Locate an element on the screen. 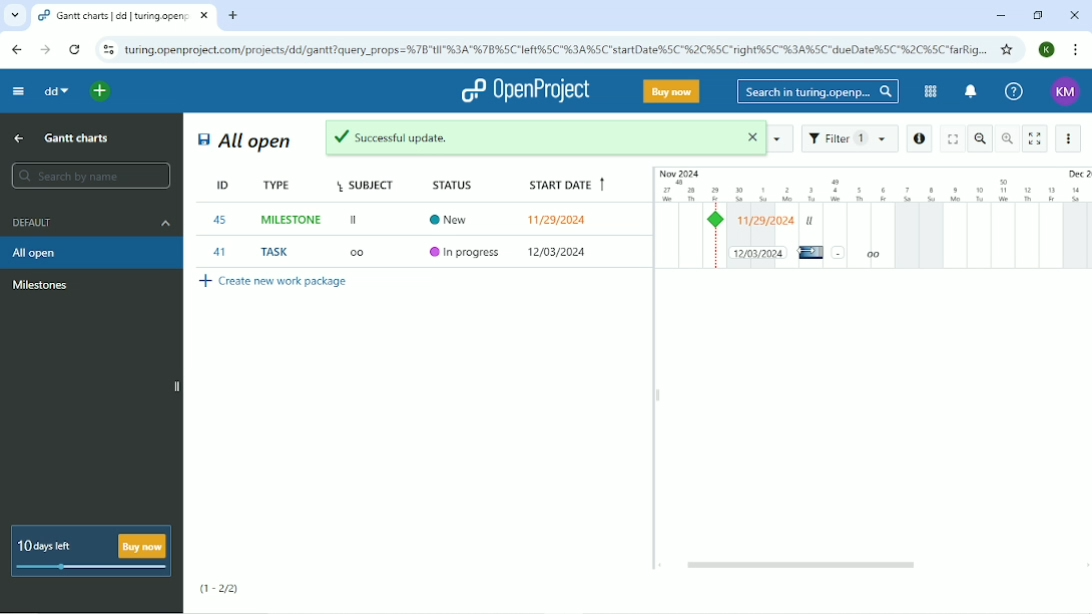  Reload this page is located at coordinates (75, 49).